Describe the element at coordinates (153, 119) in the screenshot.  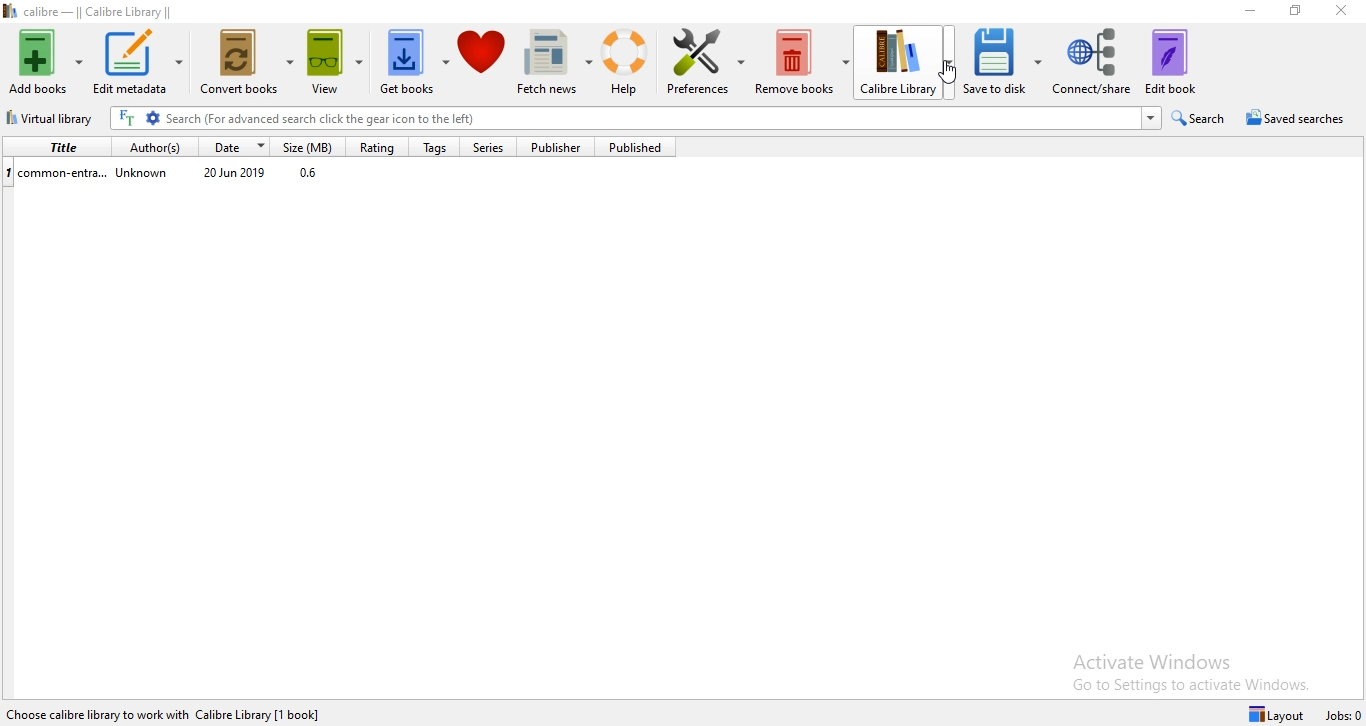
I see `Advanced search` at that location.